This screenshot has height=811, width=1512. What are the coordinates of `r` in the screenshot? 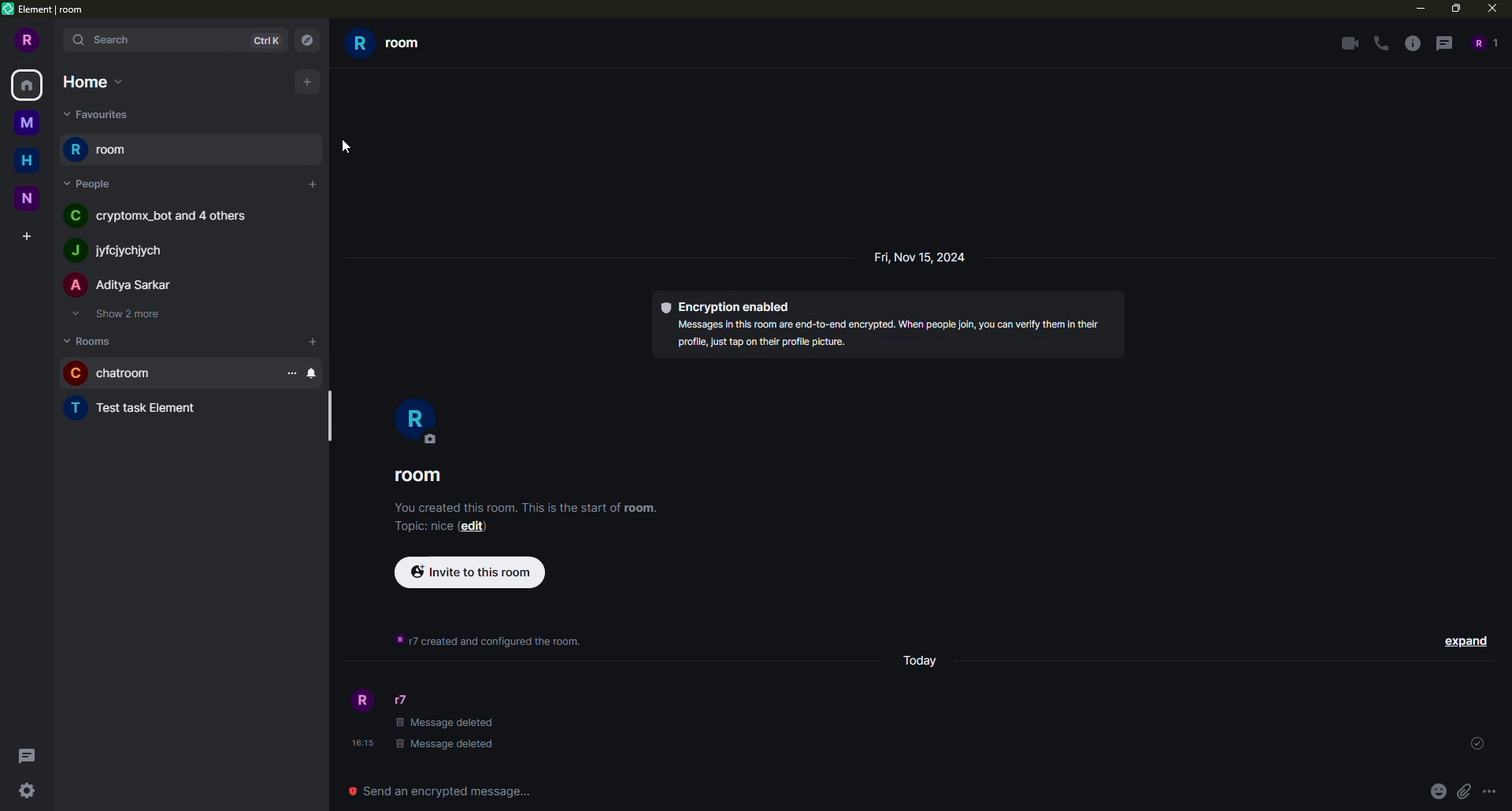 It's located at (25, 42).